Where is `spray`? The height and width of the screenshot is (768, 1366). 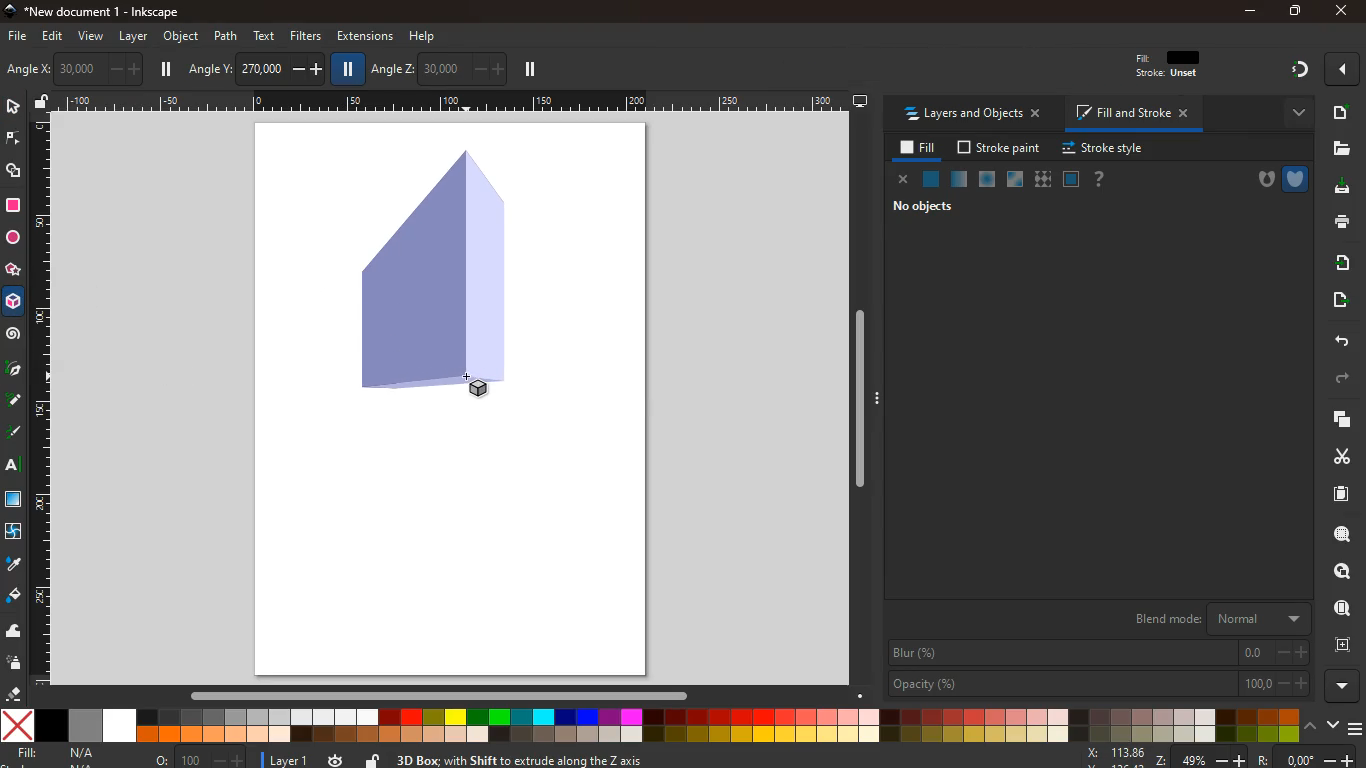 spray is located at coordinates (15, 664).